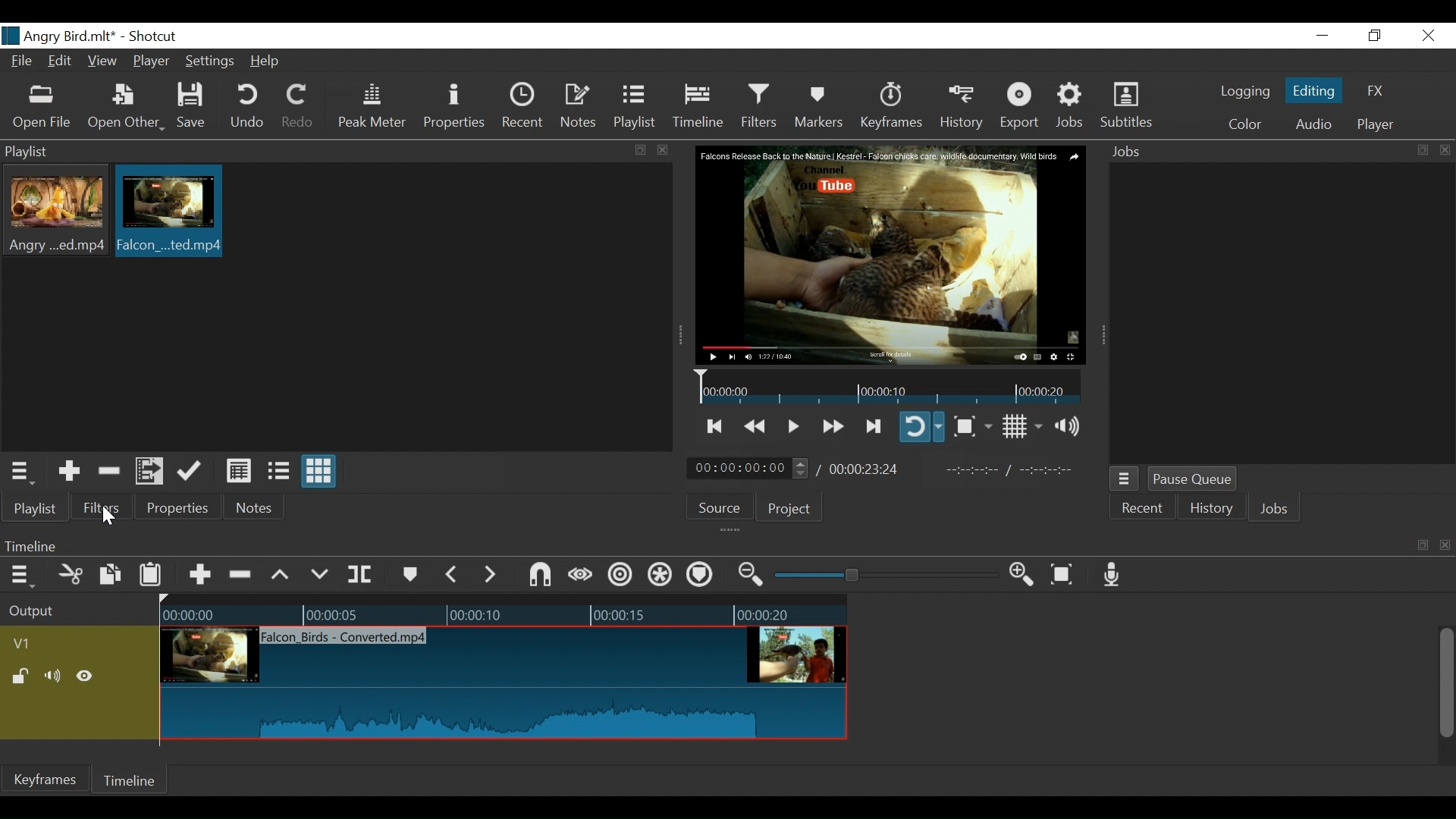 Image resolution: width=1456 pixels, height=819 pixels. I want to click on Recent, so click(1141, 510).